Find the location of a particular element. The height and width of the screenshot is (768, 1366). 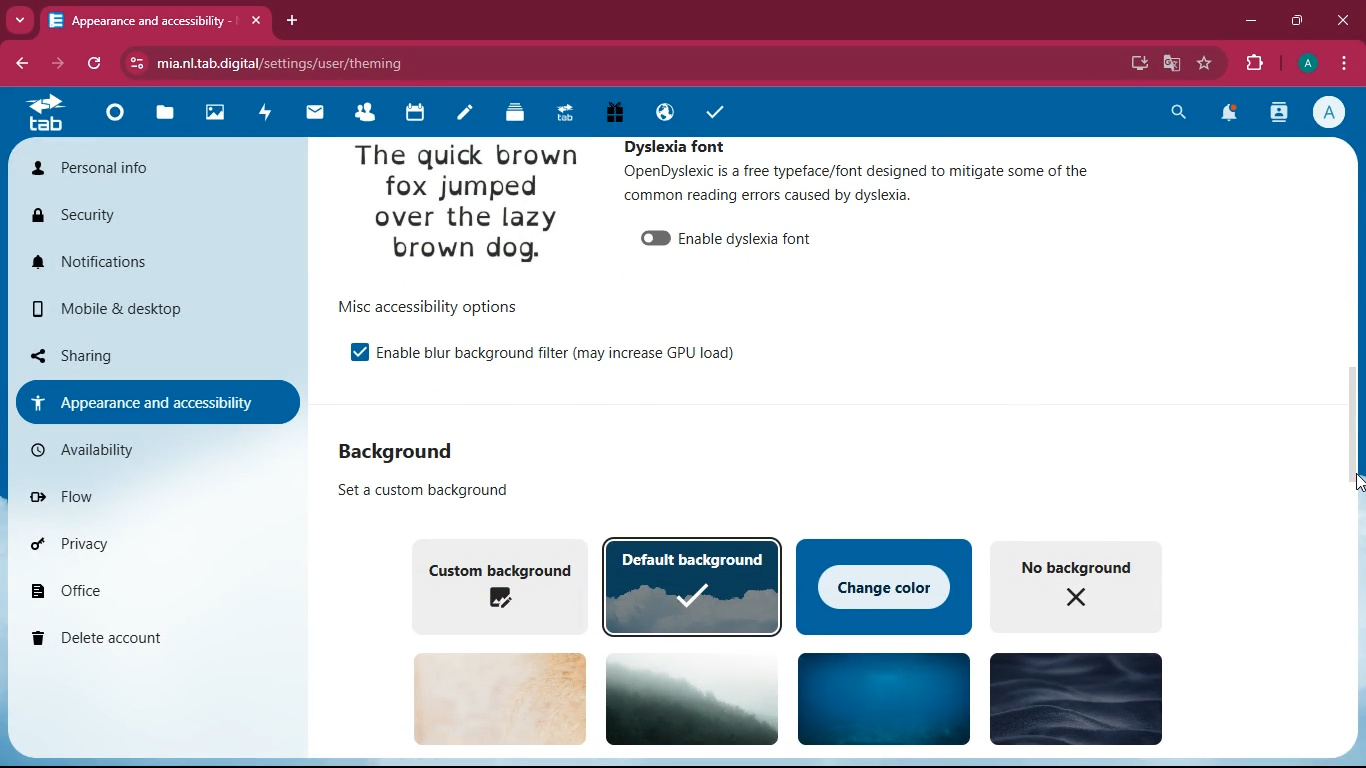

the quick brown fox jumped over the lazy brown dog. is located at coordinates (467, 207).